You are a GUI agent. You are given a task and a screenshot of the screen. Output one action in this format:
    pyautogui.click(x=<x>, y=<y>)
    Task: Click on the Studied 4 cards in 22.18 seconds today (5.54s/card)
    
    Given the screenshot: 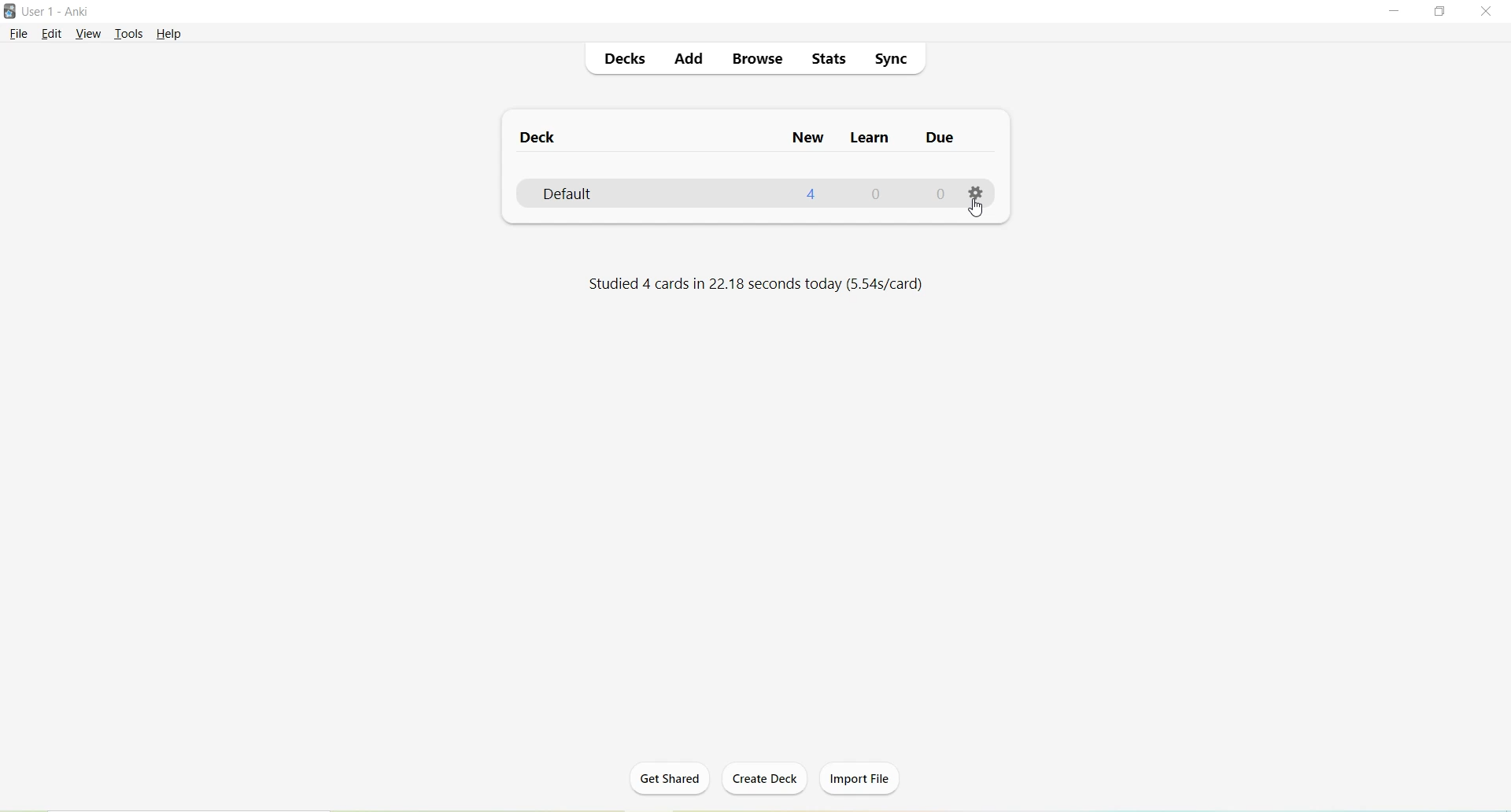 What is the action you would take?
    pyautogui.click(x=760, y=284)
    